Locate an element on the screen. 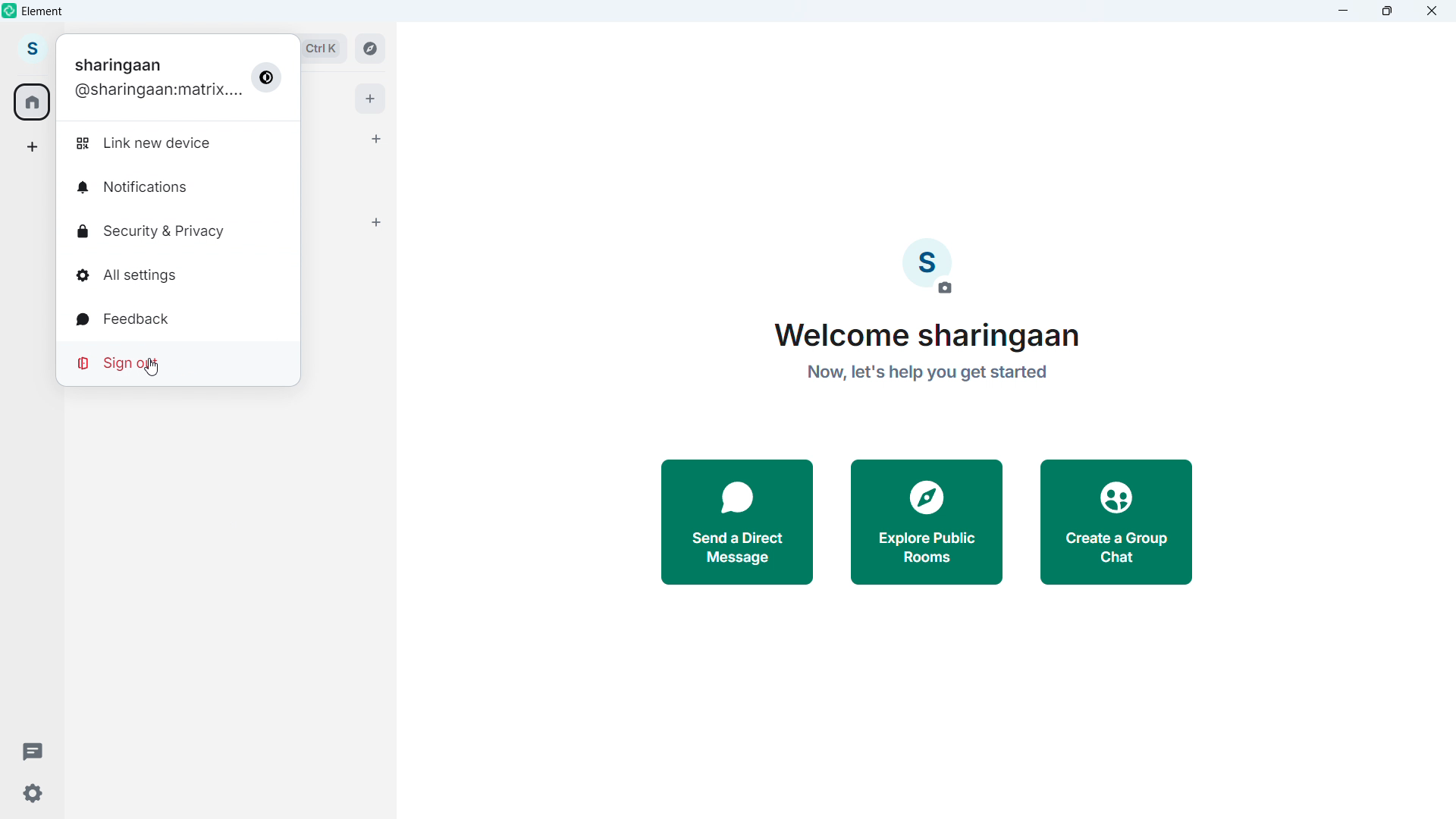  Threads  is located at coordinates (27, 748).